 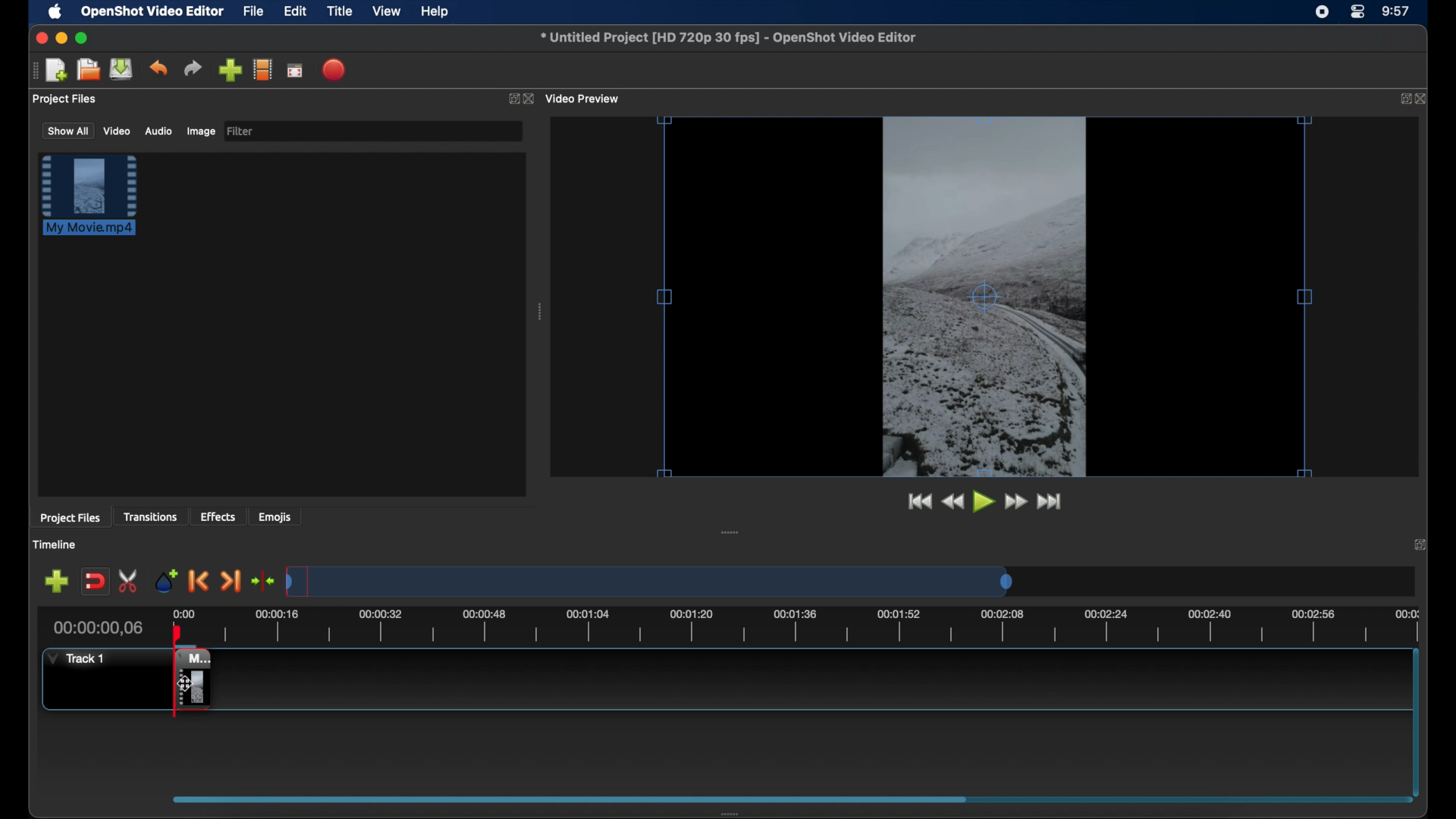 I want to click on open files, so click(x=89, y=71).